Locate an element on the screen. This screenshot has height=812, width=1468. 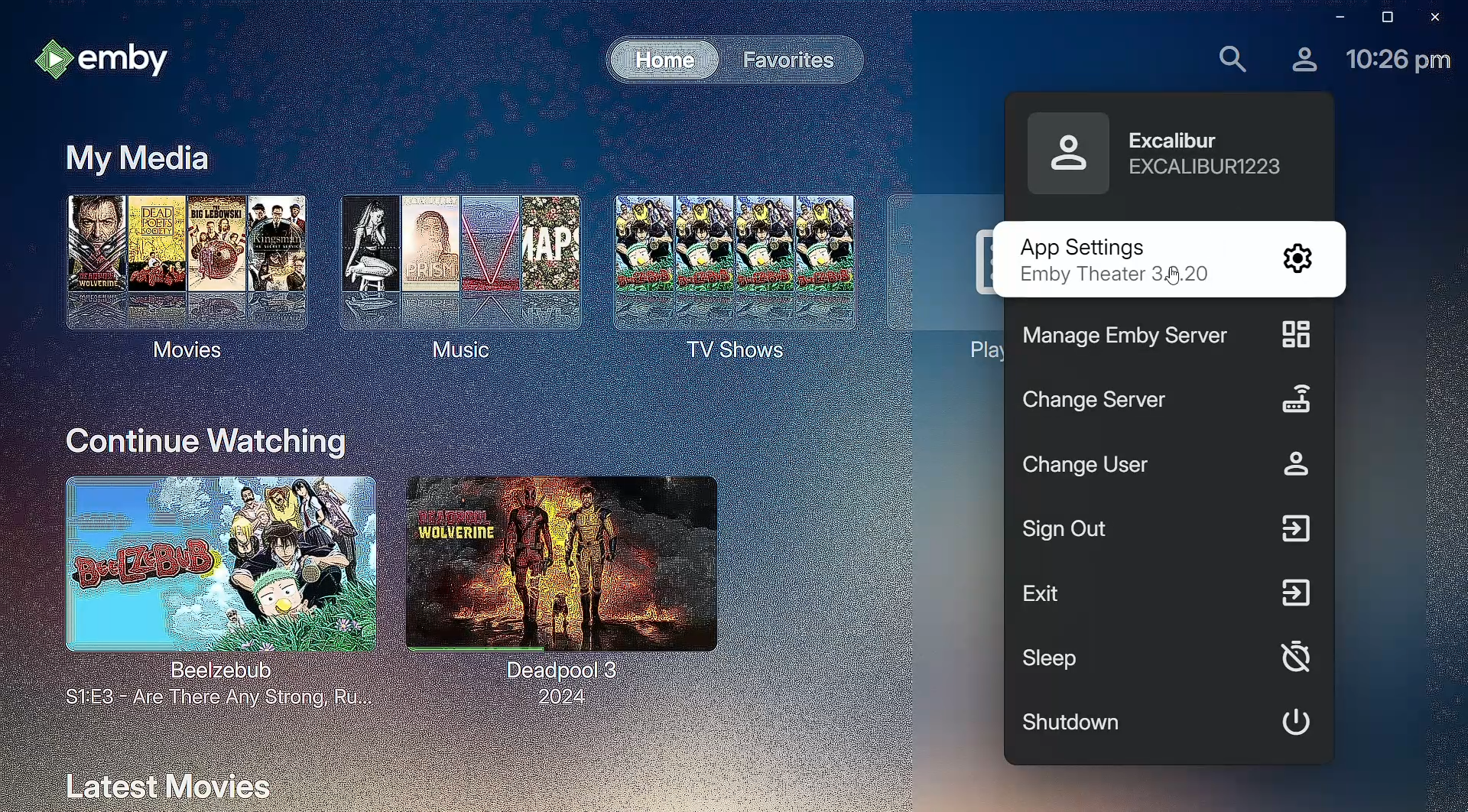
Favorites is located at coordinates (788, 59).